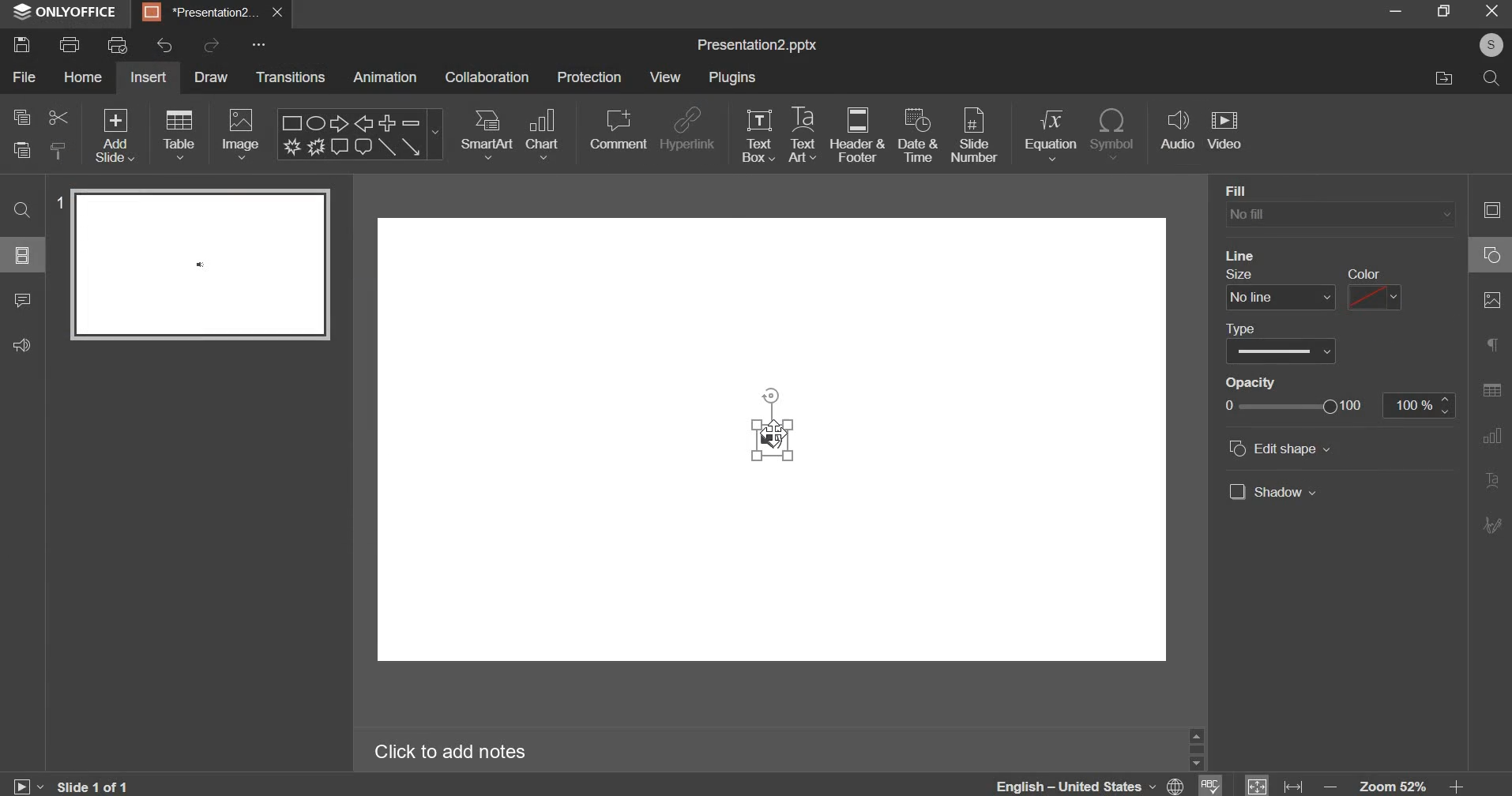  What do you see at coordinates (861, 136) in the screenshot?
I see `header & footer` at bounding box center [861, 136].